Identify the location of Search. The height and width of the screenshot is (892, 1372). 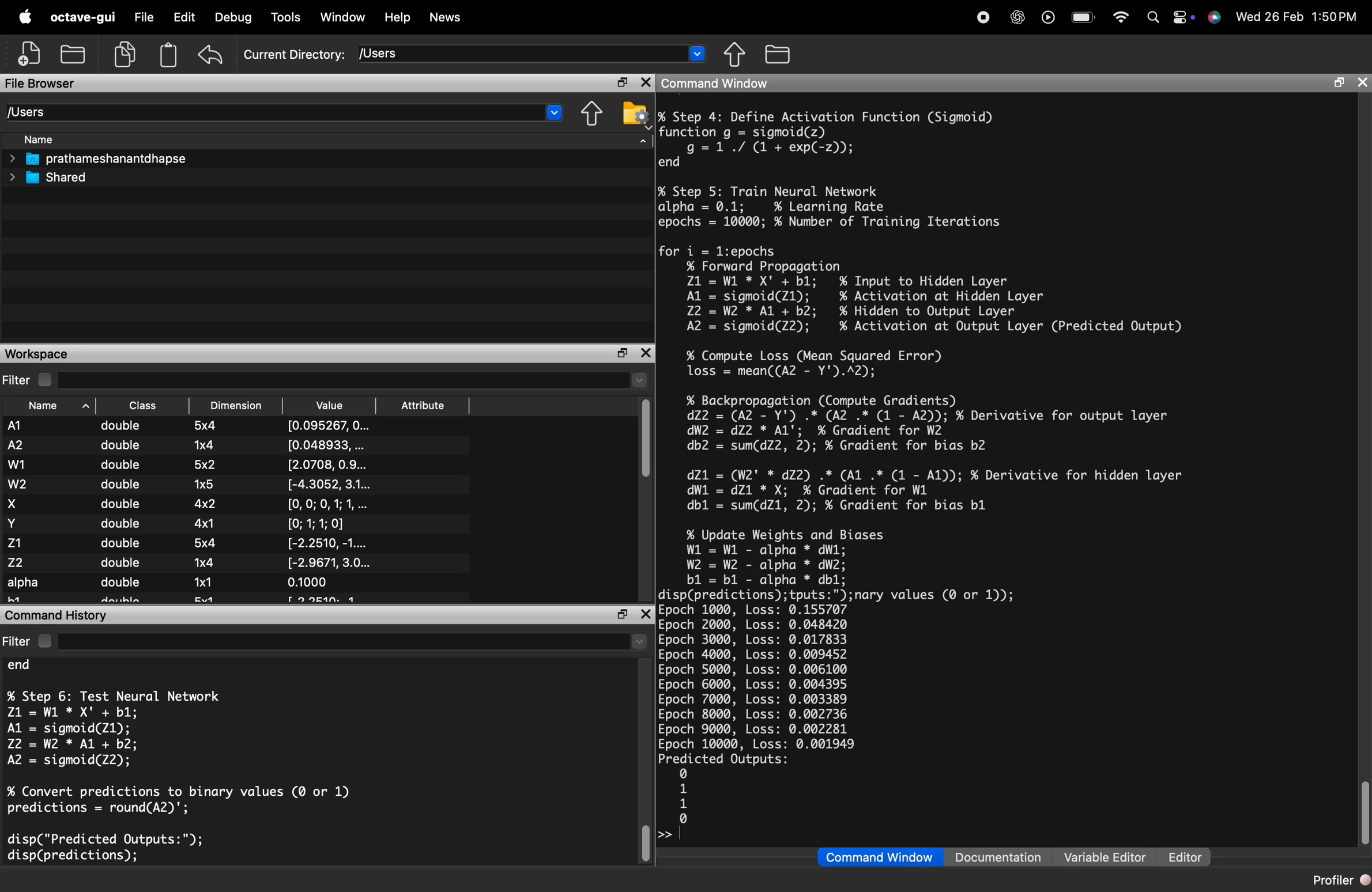
(1149, 16).